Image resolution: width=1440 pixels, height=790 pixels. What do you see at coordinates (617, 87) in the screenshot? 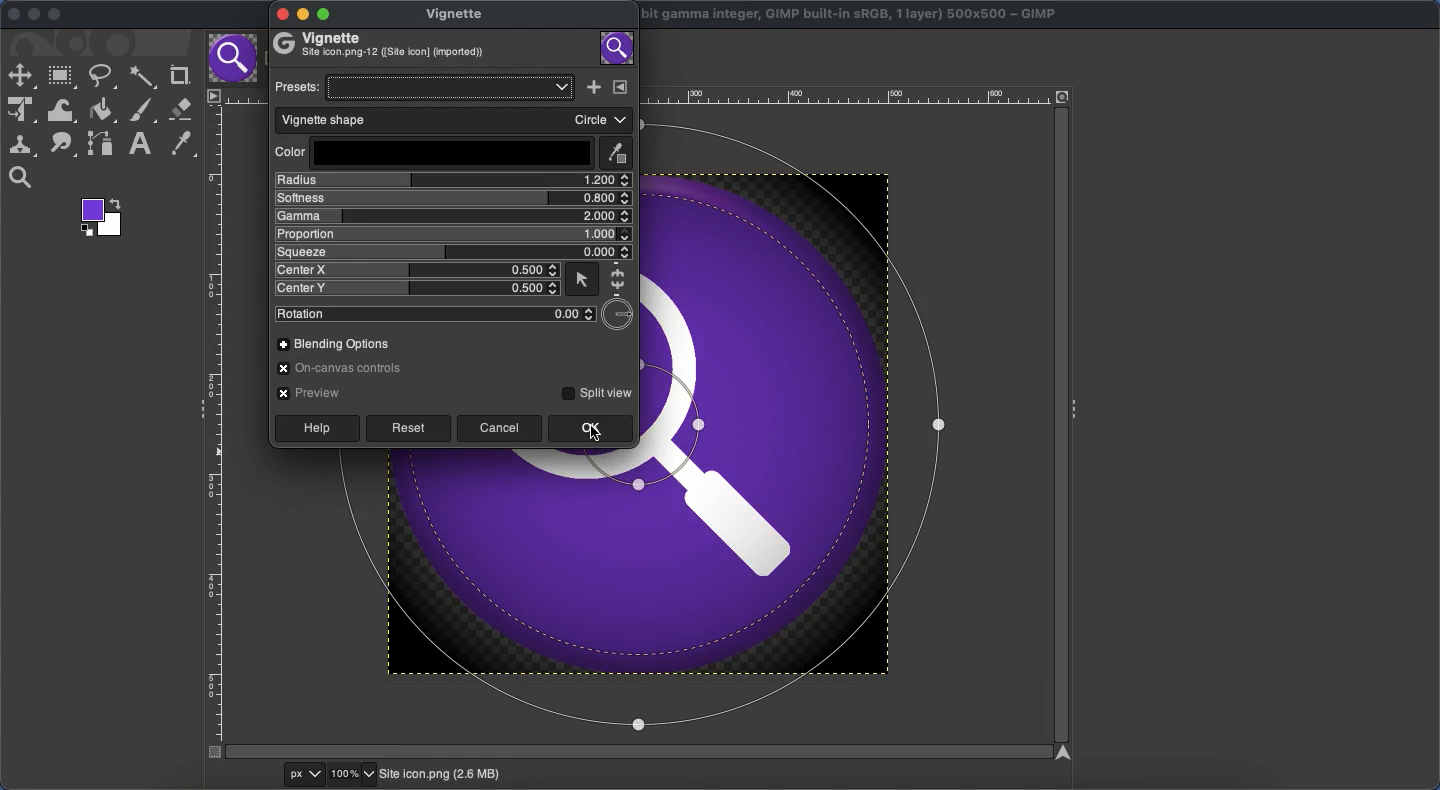
I see `Menu` at bounding box center [617, 87].